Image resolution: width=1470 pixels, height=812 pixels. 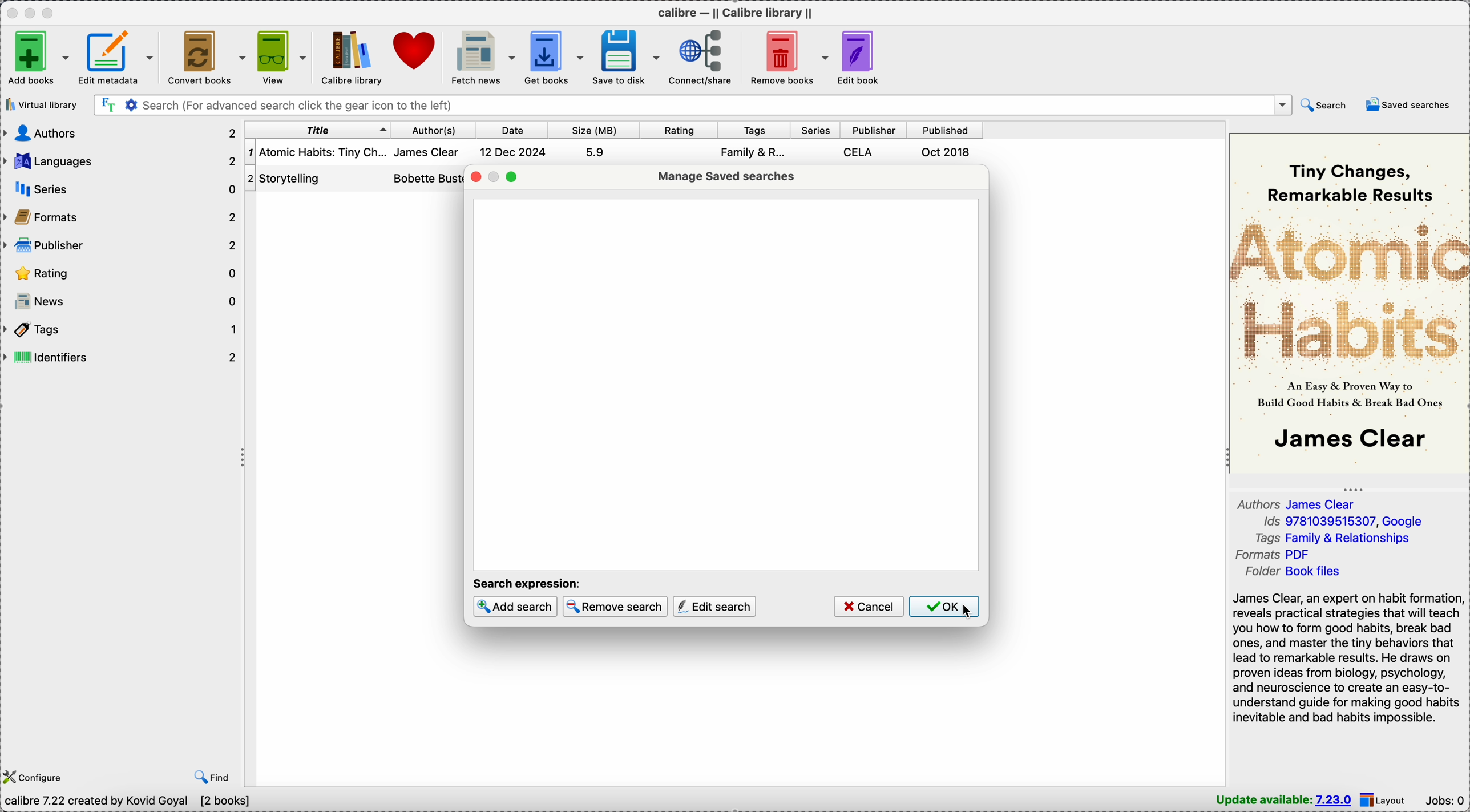 What do you see at coordinates (297, 177) in the screenshot?
I see `storytelling` at bounding box center [297, 177].